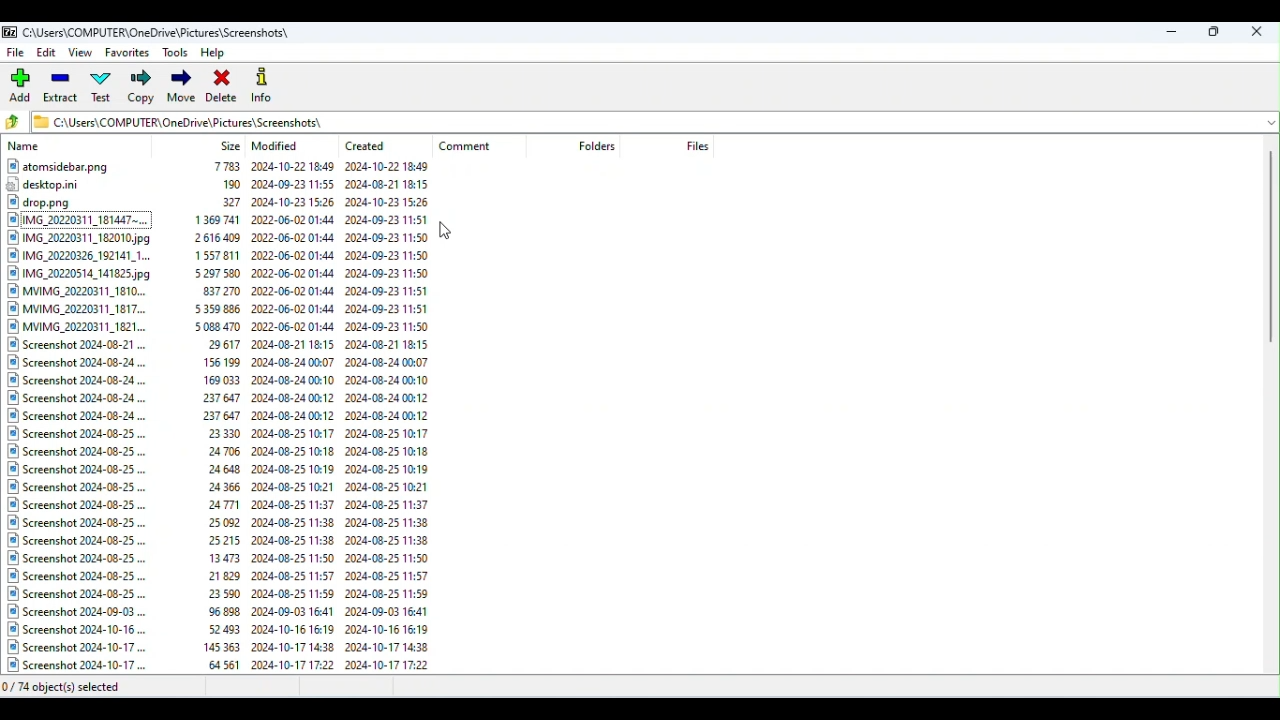  Describe the element at coordinates (83, 54) in the screenshot. I see `View` at that location.